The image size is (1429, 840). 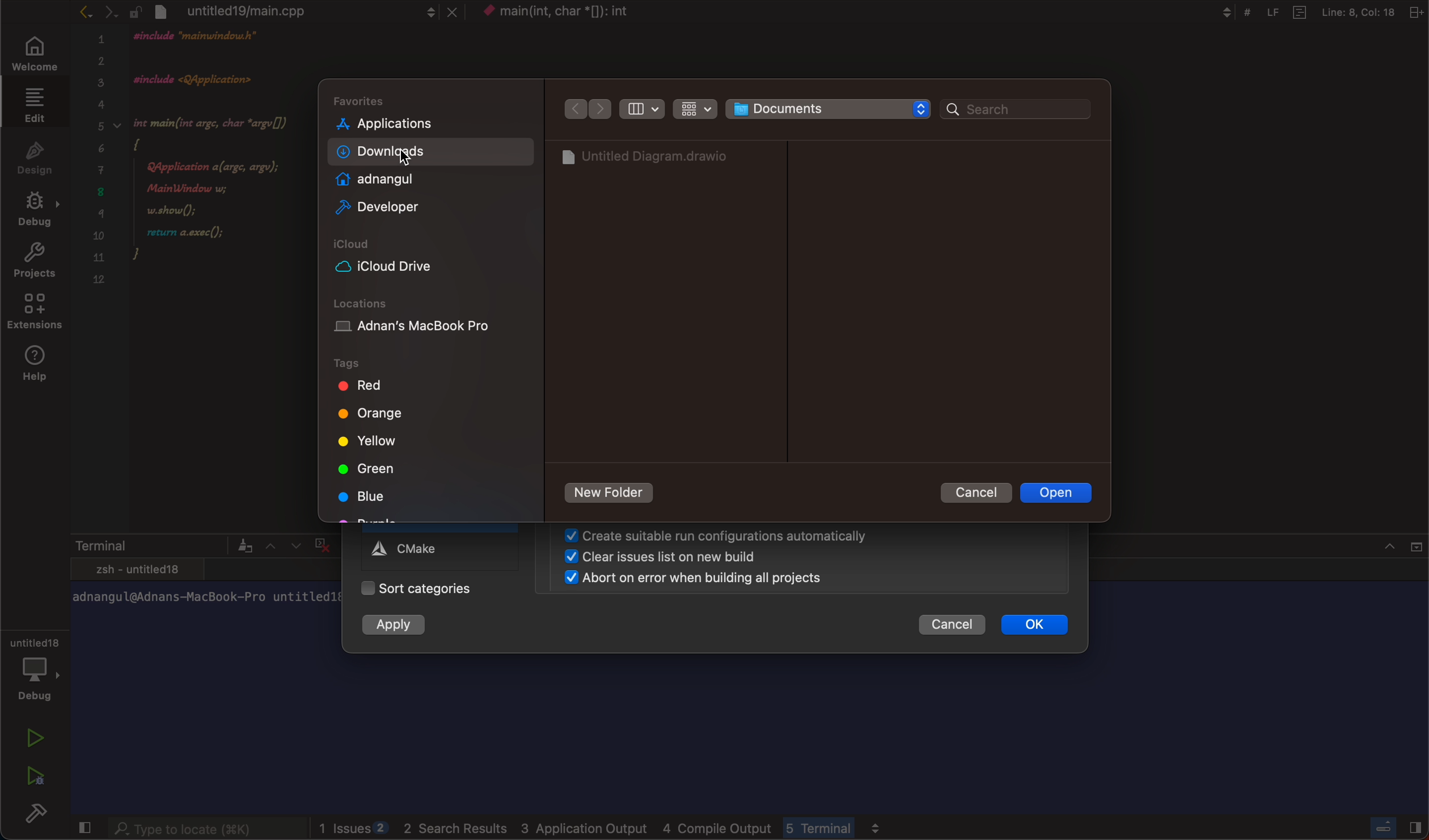 I want to click on close slidebar, so click(x=1392, y=826).